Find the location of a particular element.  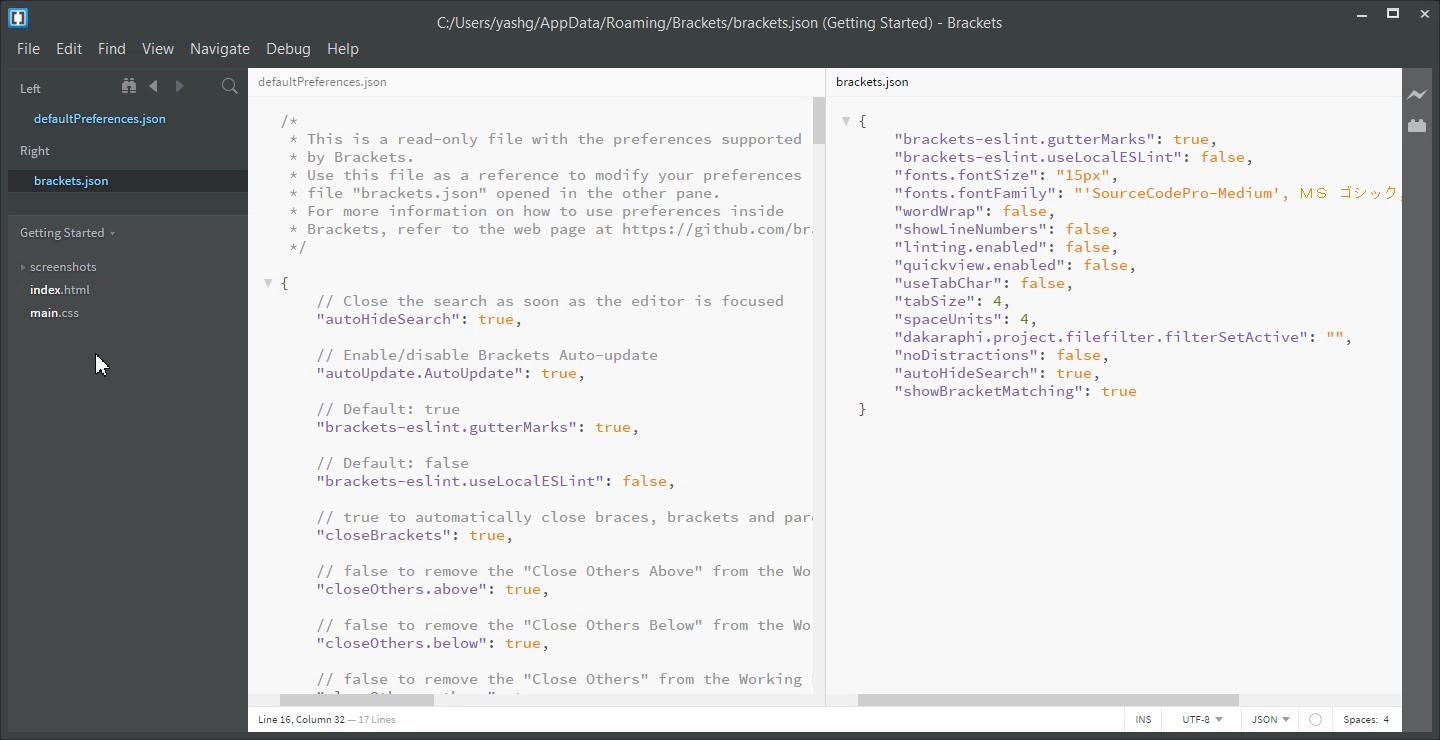

Navigate Backward is located at coordinates (154, 86).